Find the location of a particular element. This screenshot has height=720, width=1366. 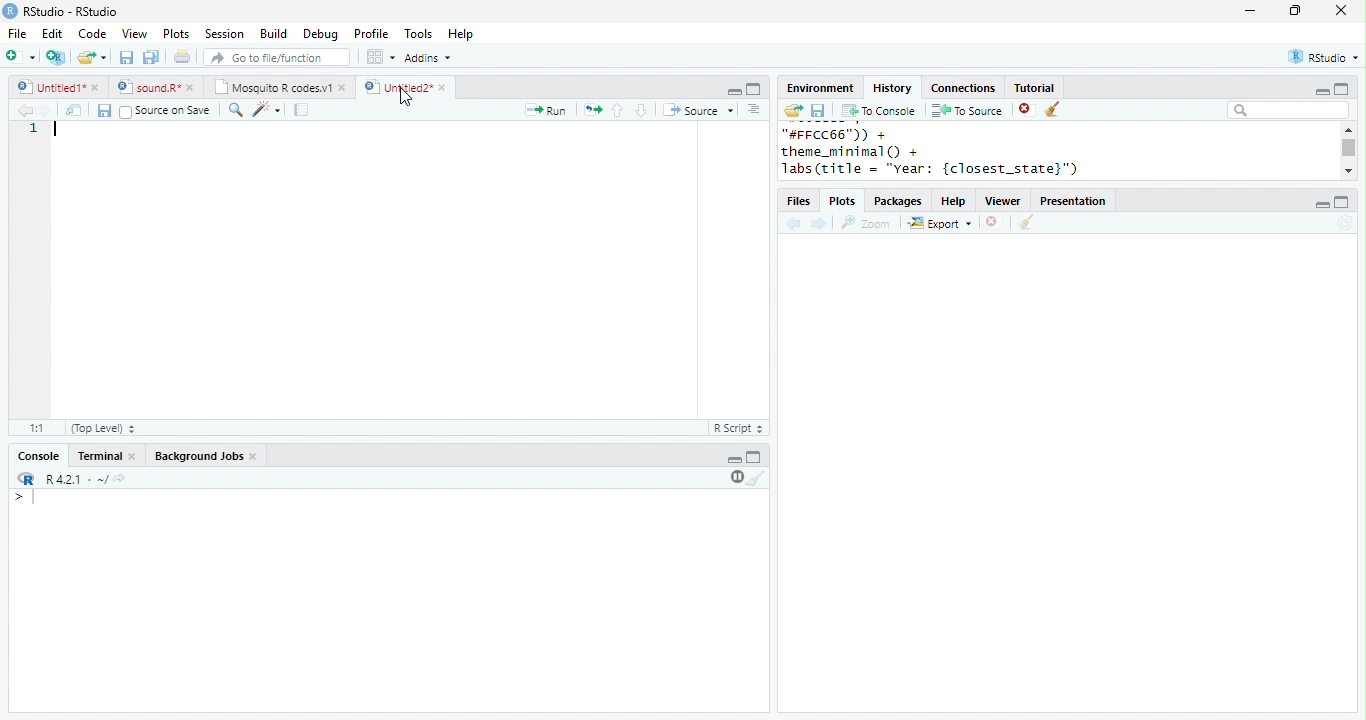

back is located at coordinates (793, 223).